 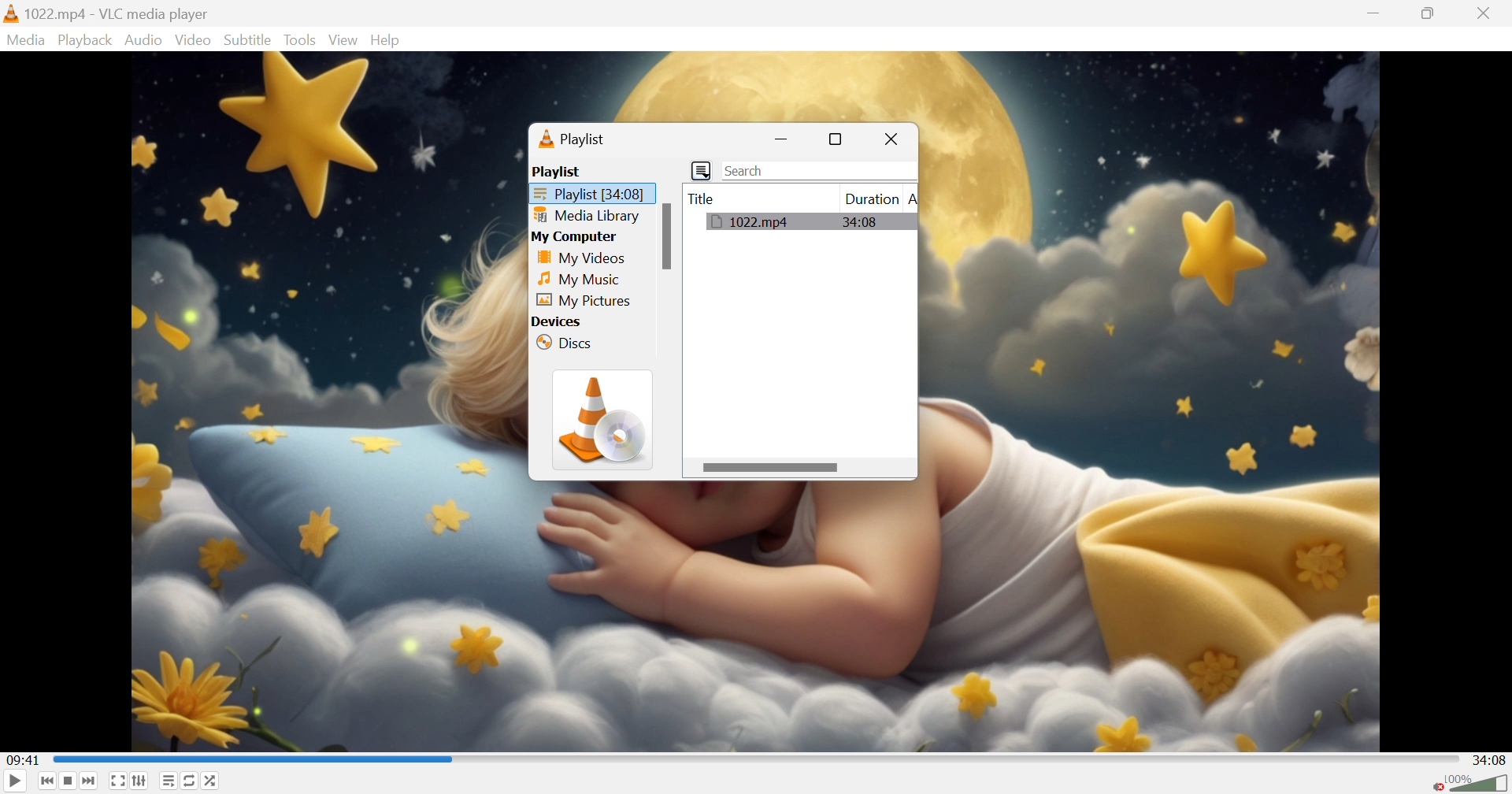 I want to click on Progress bar, so click(x=758, y=762).